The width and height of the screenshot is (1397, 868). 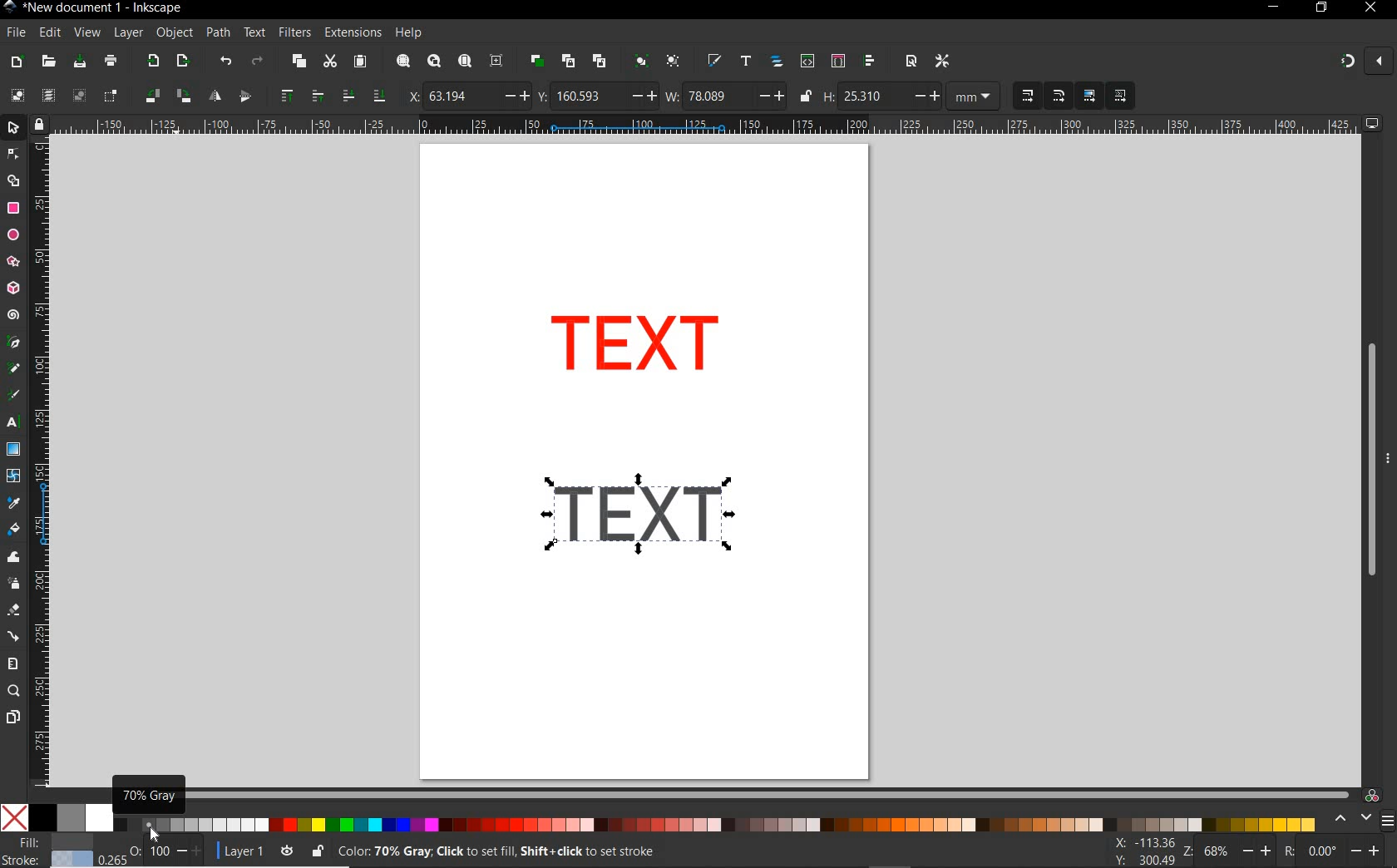 I want to click on ellipse tool, so click(x=12, y=234).